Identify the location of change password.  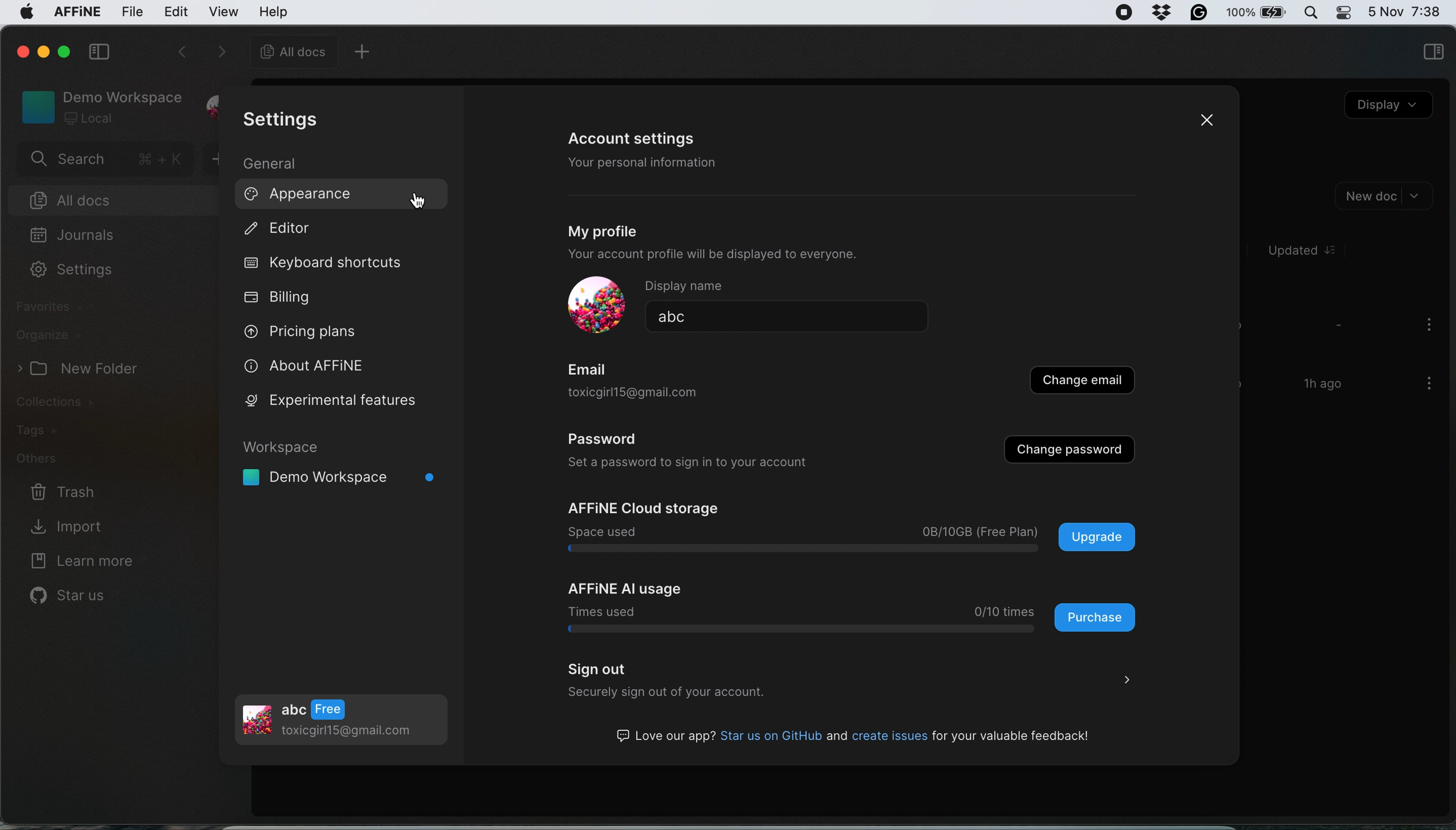
(1071, 447).